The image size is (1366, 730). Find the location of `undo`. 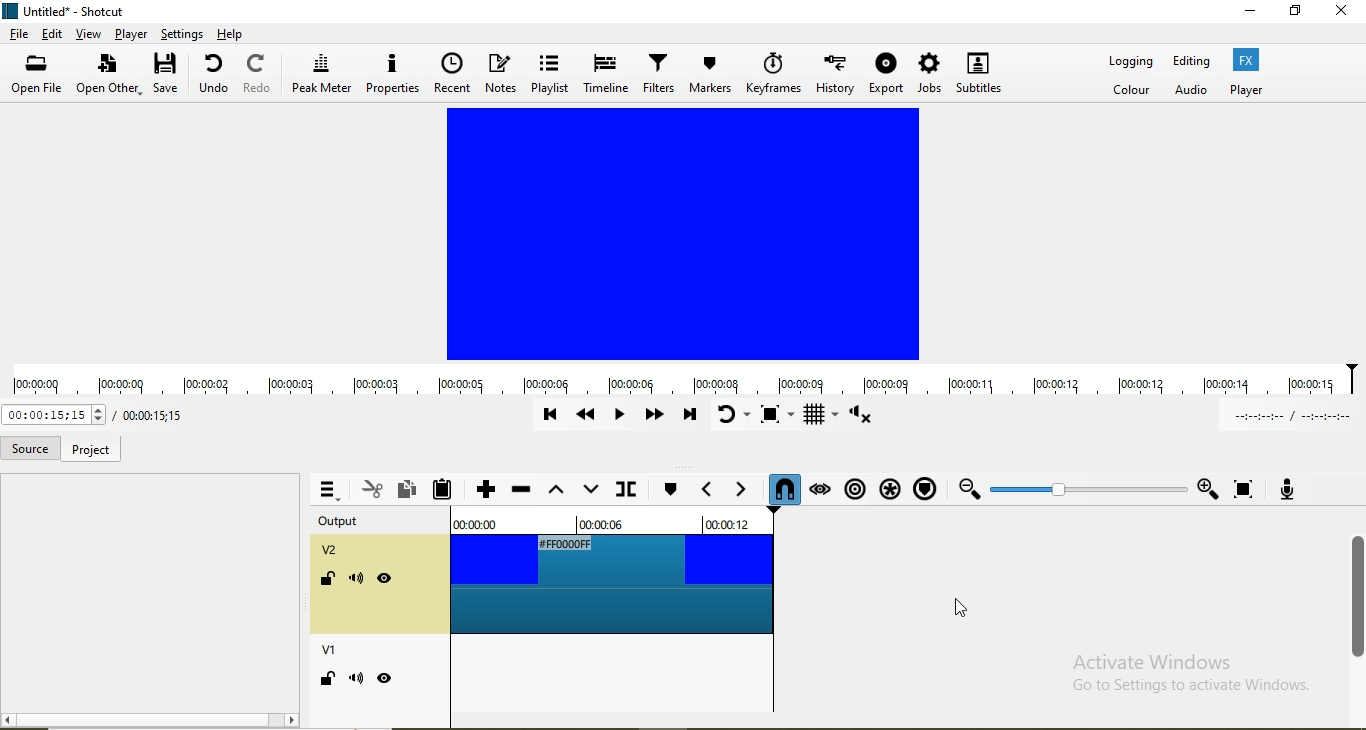

undo is located at coordinates (217, 74).